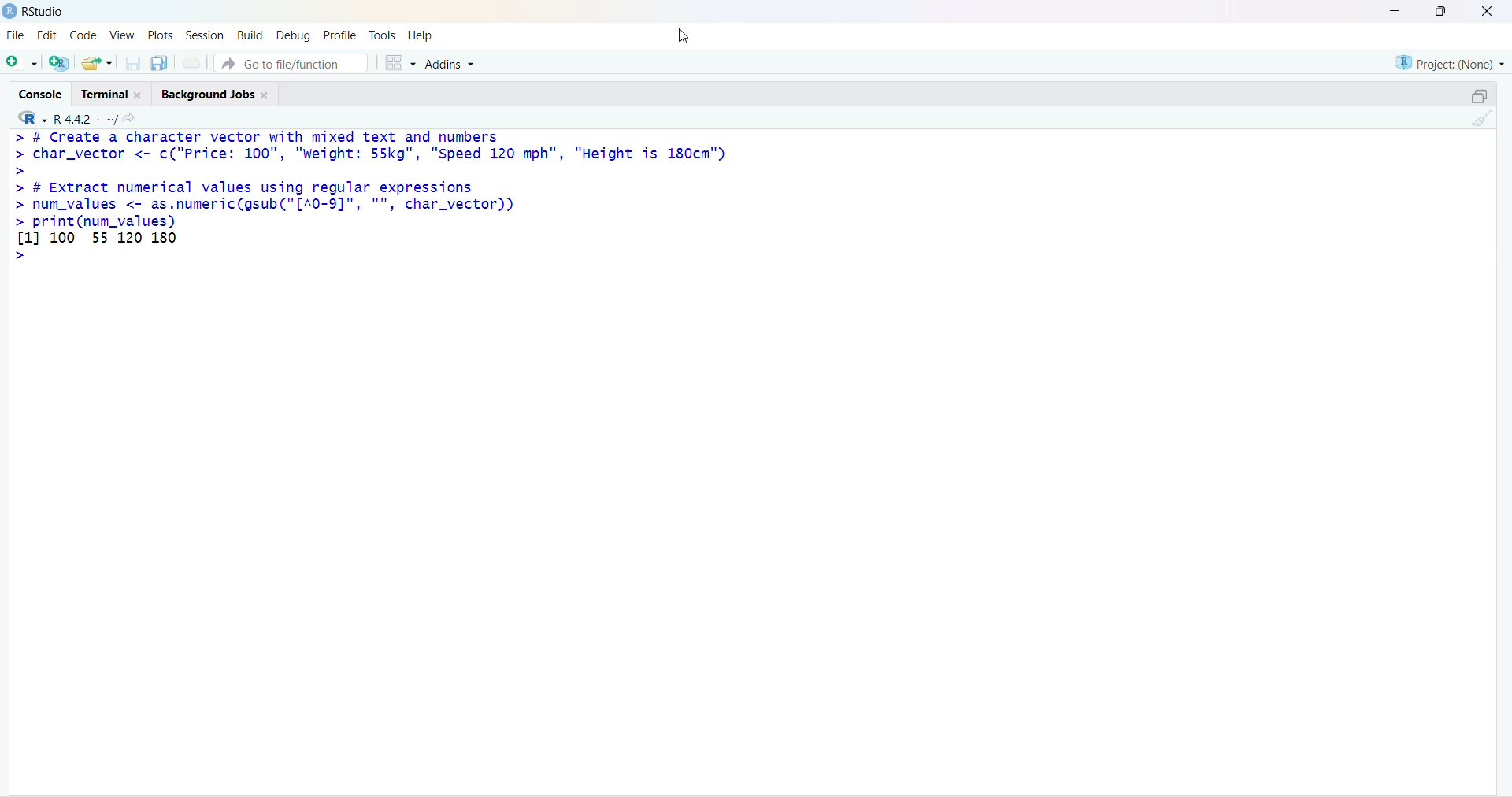 The width and height of the screenshot is (1512, 797). Describe the element at coordinates (83, 35) in the screenshot. I see `code` at that location.